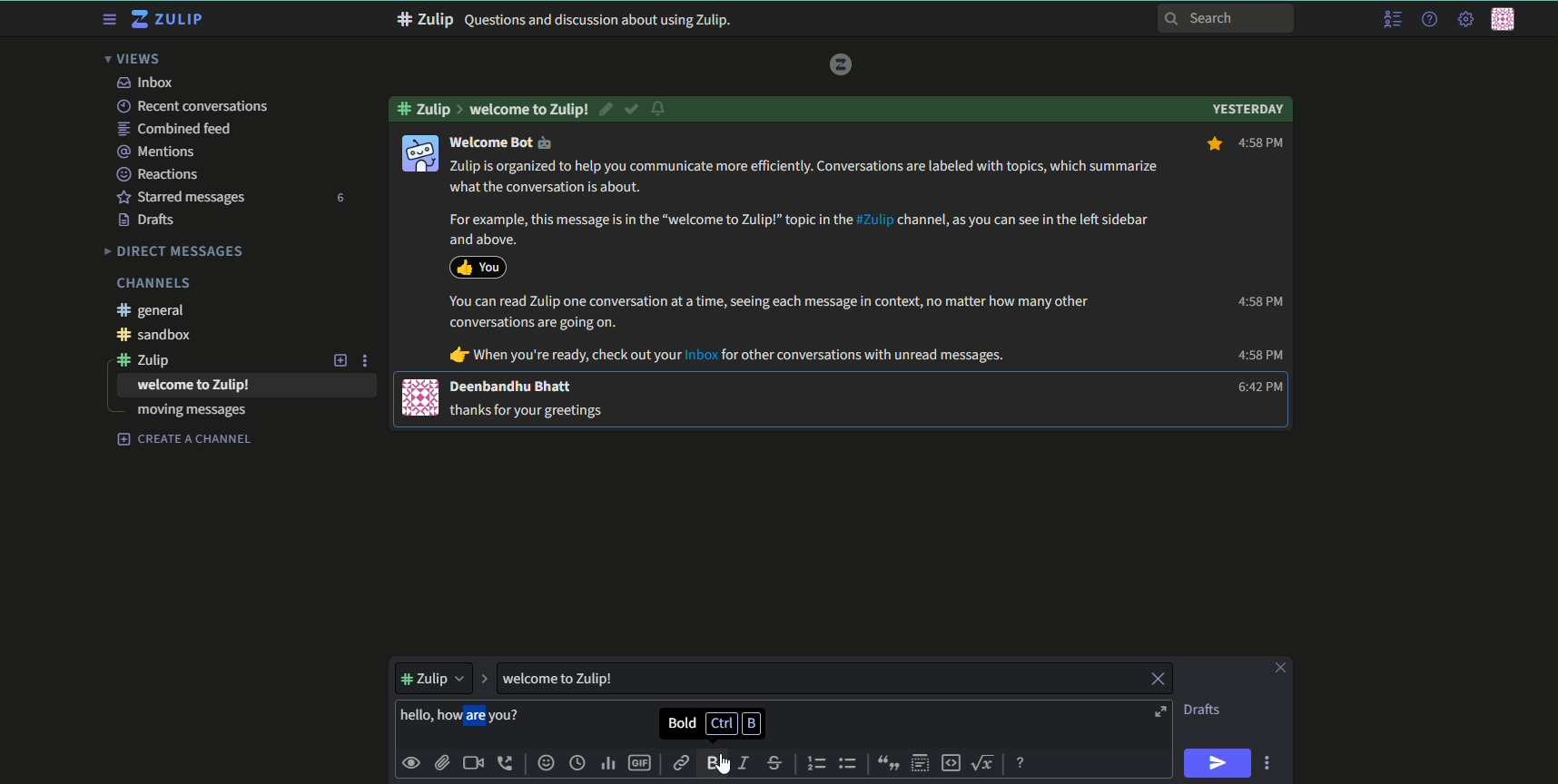 This screenshot has height=784, width=1558. What do you see at coordinates (192, 106) in the screenshot?
I see `recent conversations` at bounding box center [192, 106].